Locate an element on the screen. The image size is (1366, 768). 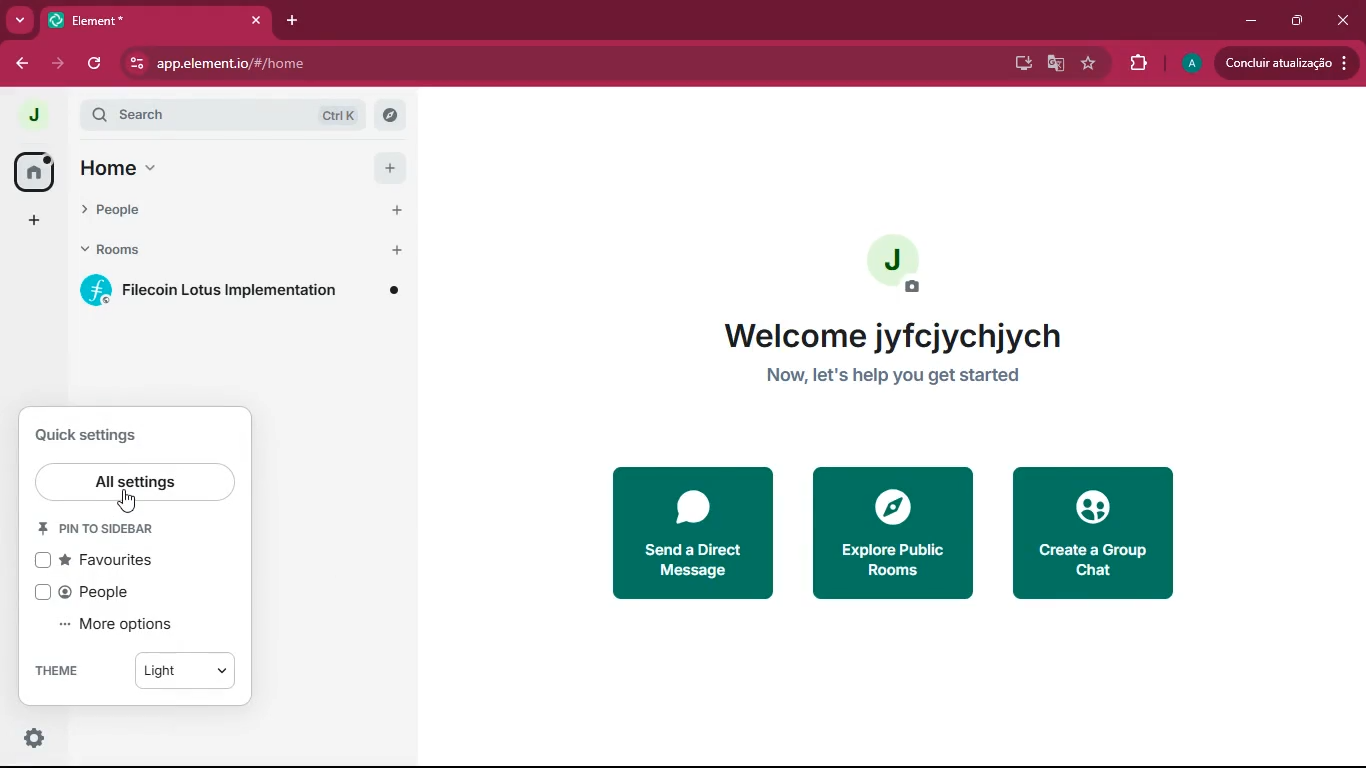
more options is located at coordinates (130, 623).